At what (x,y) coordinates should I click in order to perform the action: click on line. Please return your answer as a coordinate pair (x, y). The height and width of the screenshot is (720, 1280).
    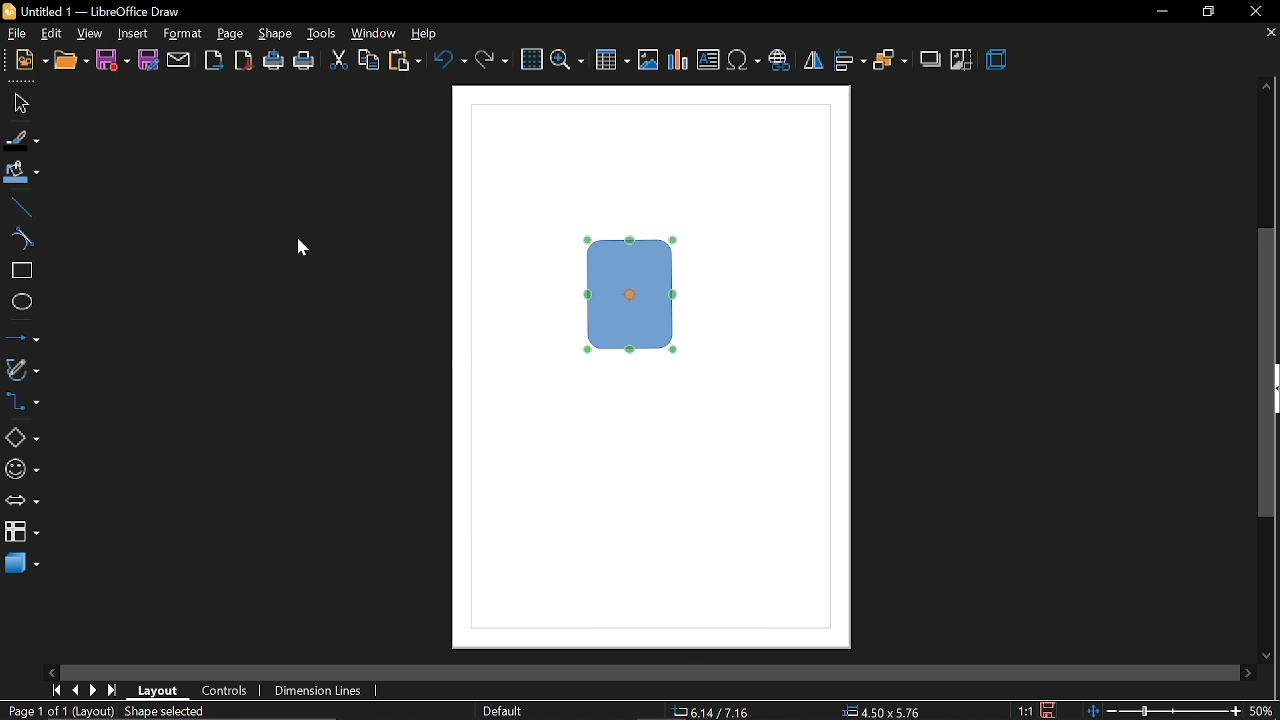
    Looking at the image, I should click on (19, 208).